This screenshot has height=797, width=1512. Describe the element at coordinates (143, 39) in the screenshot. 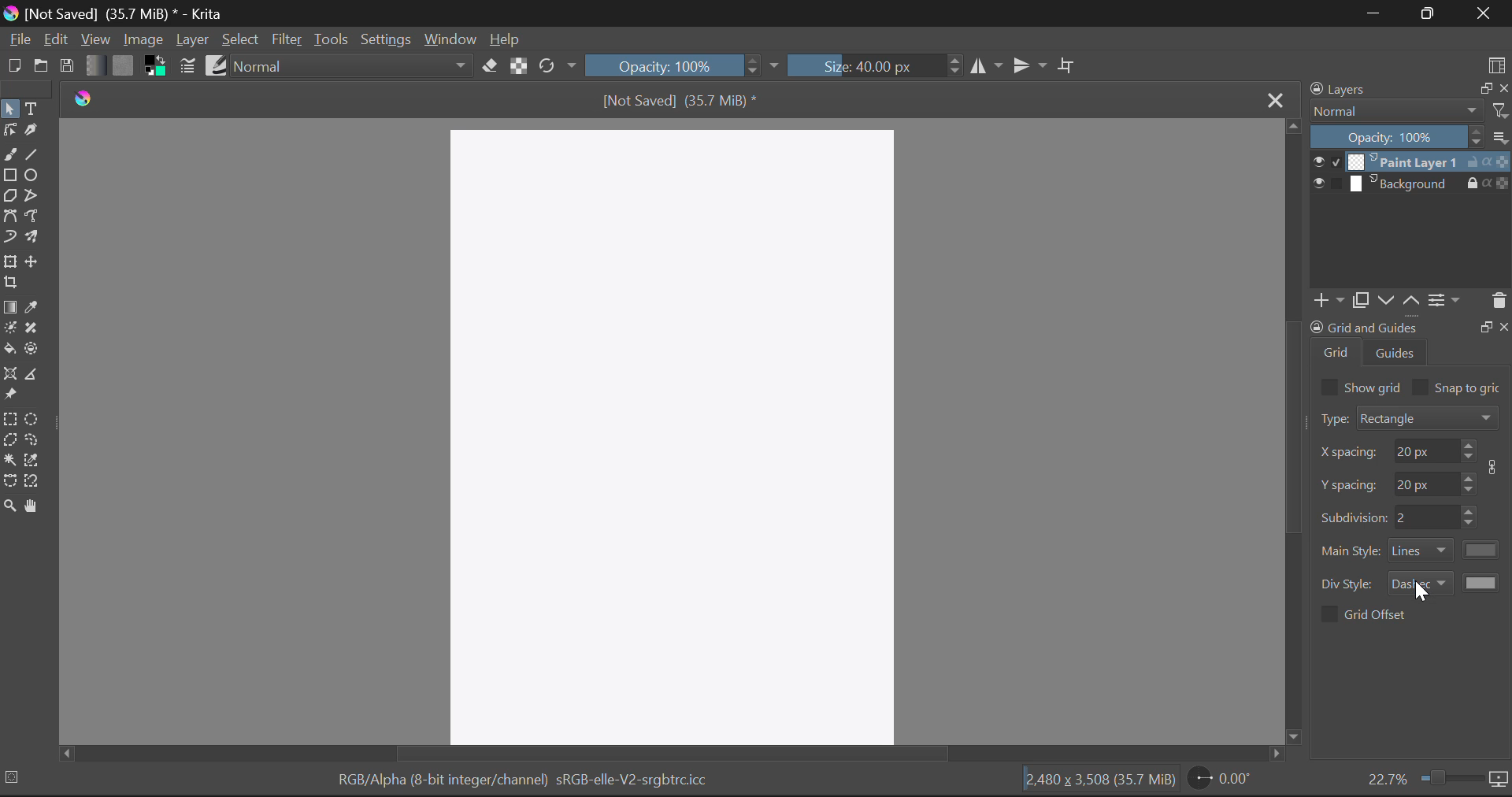

I see `Image` at that location.